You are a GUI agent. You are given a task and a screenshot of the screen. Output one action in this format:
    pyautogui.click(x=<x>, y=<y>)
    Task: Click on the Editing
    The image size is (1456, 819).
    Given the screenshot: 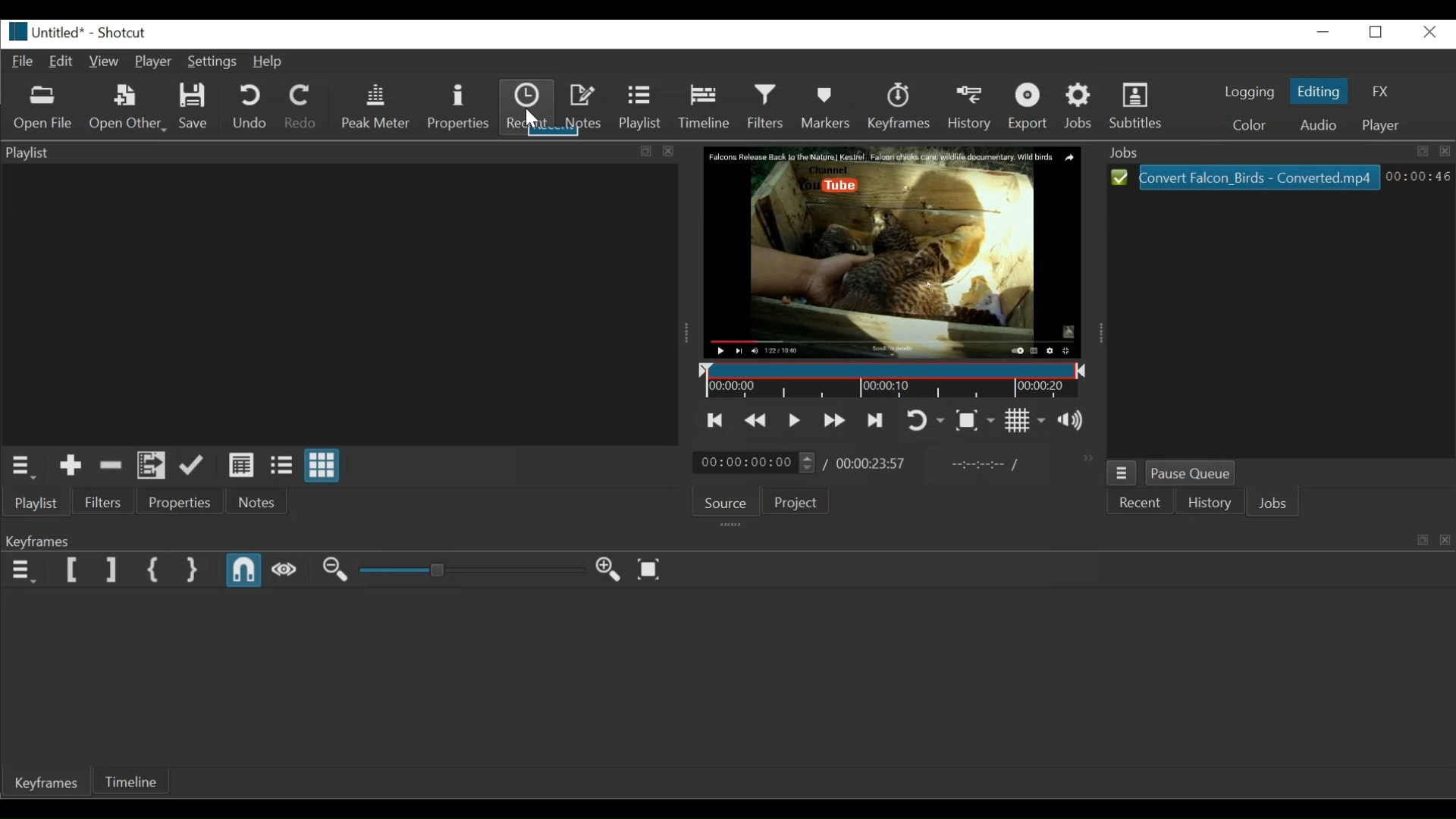 What is the action you would take?
    pyautogui.click(x=1320, y=92)
    